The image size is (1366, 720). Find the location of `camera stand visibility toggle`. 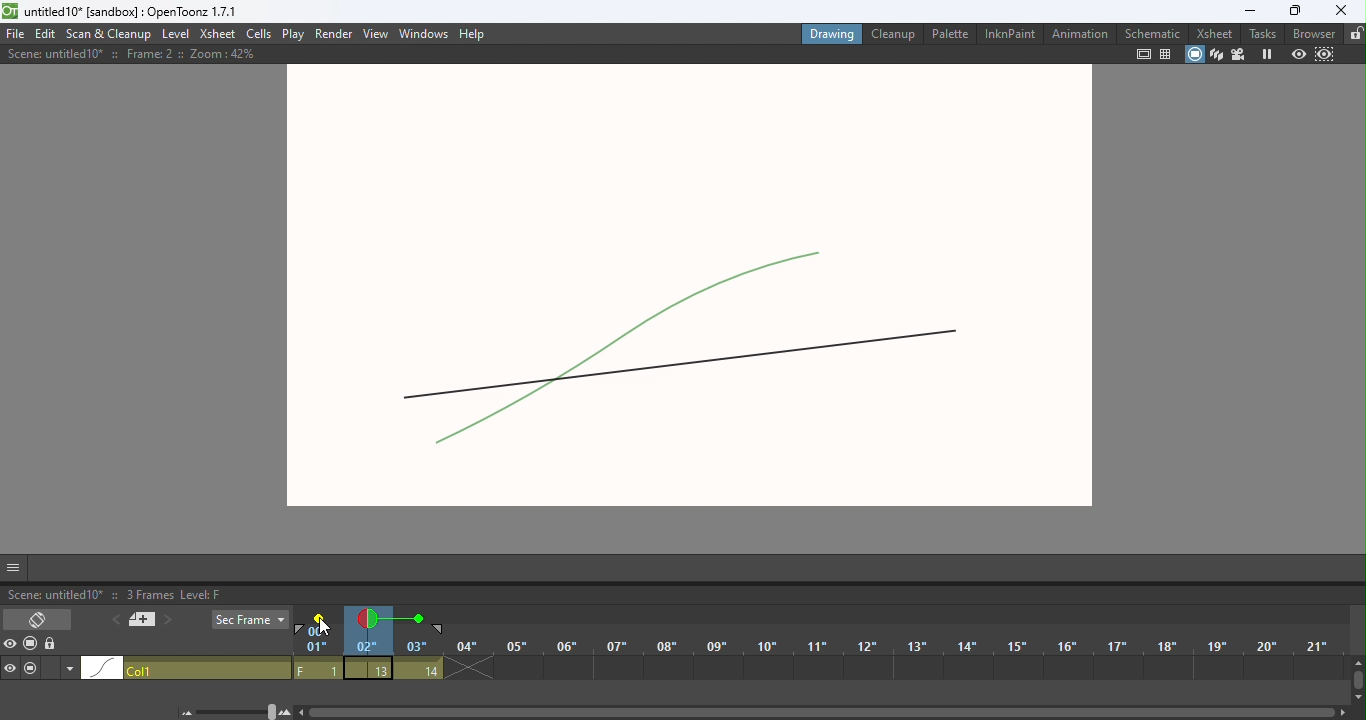

camera stand visibility toggle is located at coordinates (32, 669).